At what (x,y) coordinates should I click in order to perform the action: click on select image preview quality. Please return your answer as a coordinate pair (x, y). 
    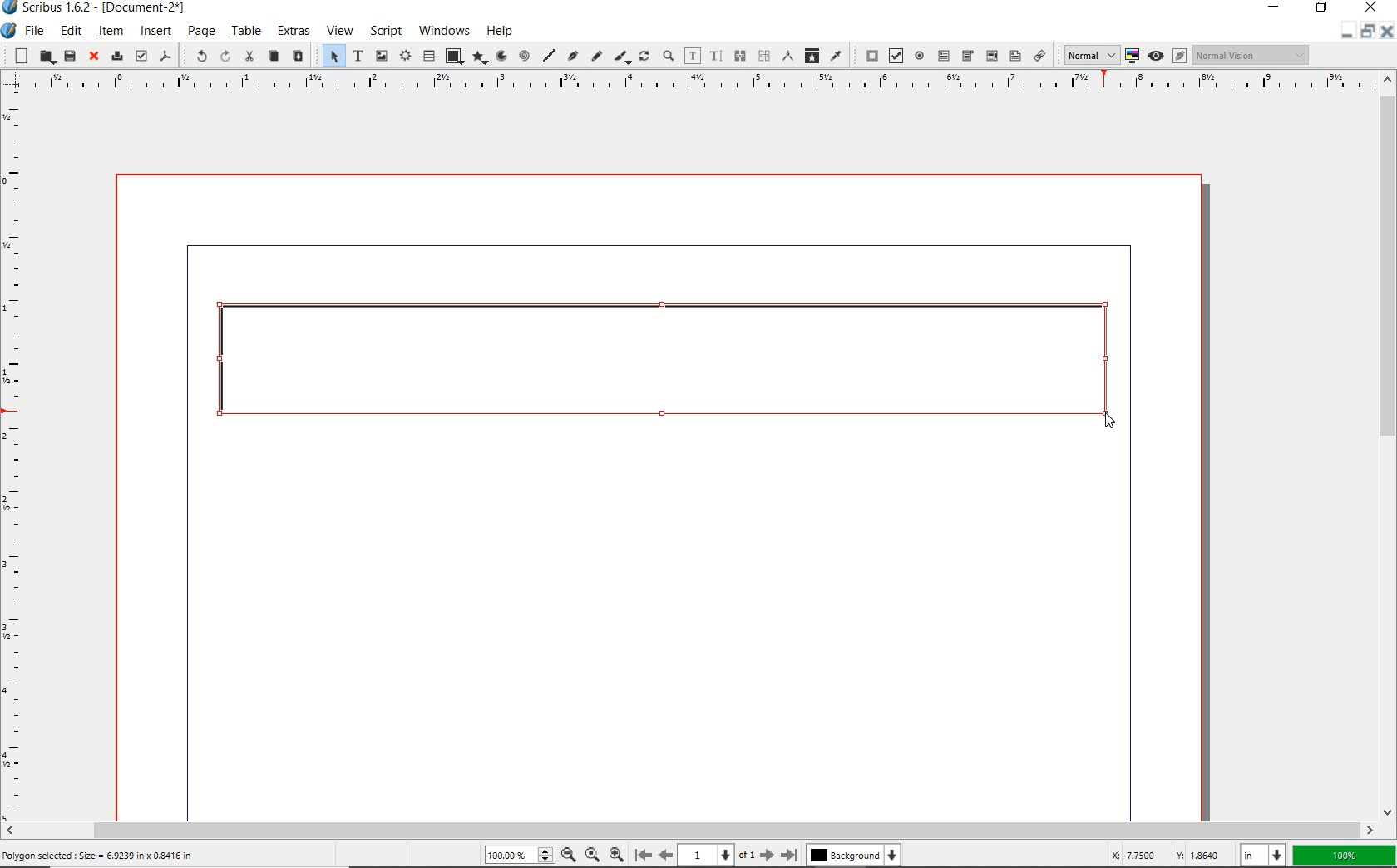
    Looking at the image, I should click on (1086, 55).